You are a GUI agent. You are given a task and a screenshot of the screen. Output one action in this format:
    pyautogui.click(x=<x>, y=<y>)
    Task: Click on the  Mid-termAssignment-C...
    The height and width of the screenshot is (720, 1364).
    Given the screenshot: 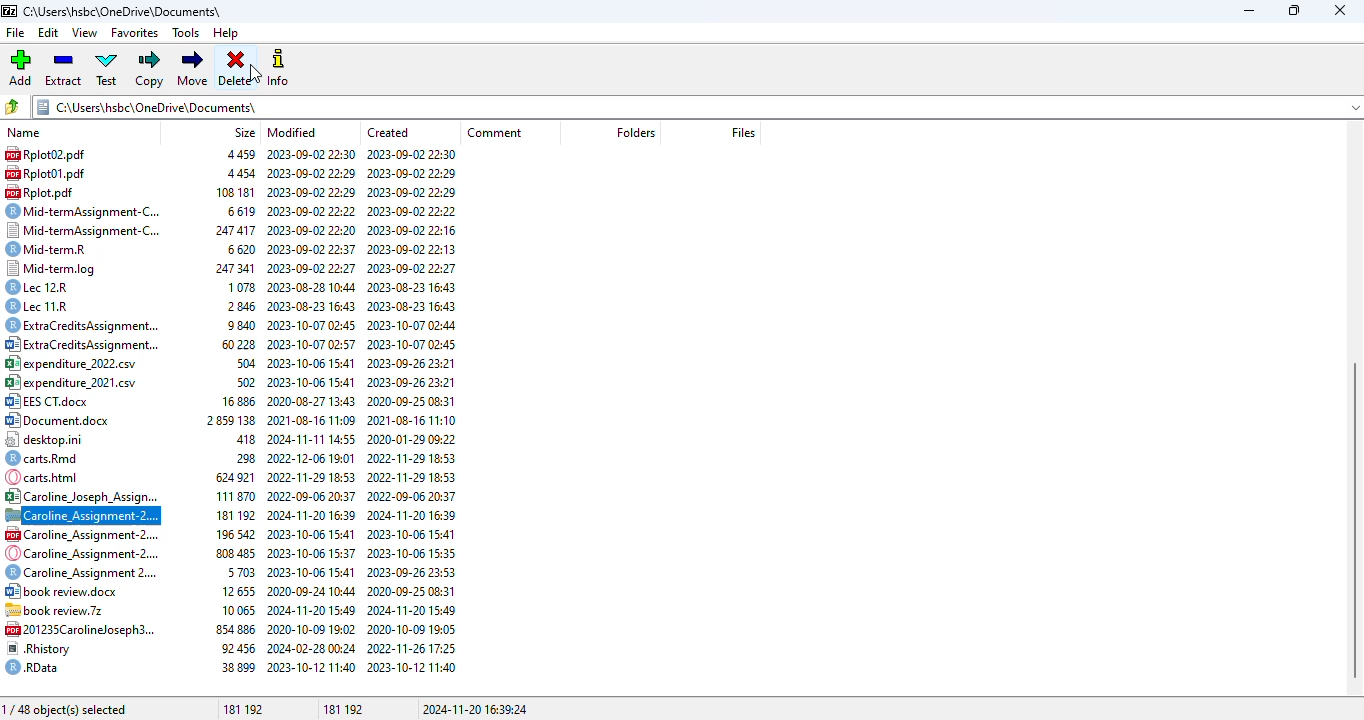 What is the action you would take?
    pyautogui.click(x=84, y=230)
    